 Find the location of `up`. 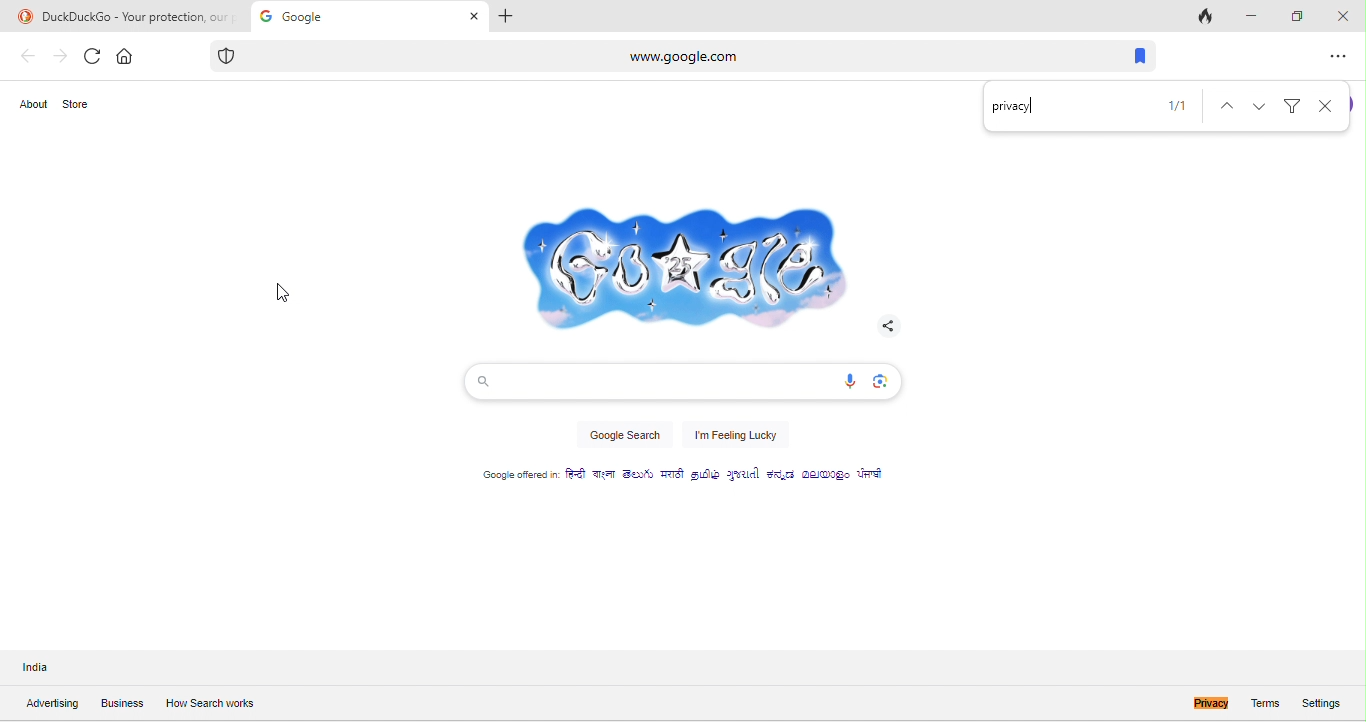

up is located at coordinates (1220, 105).